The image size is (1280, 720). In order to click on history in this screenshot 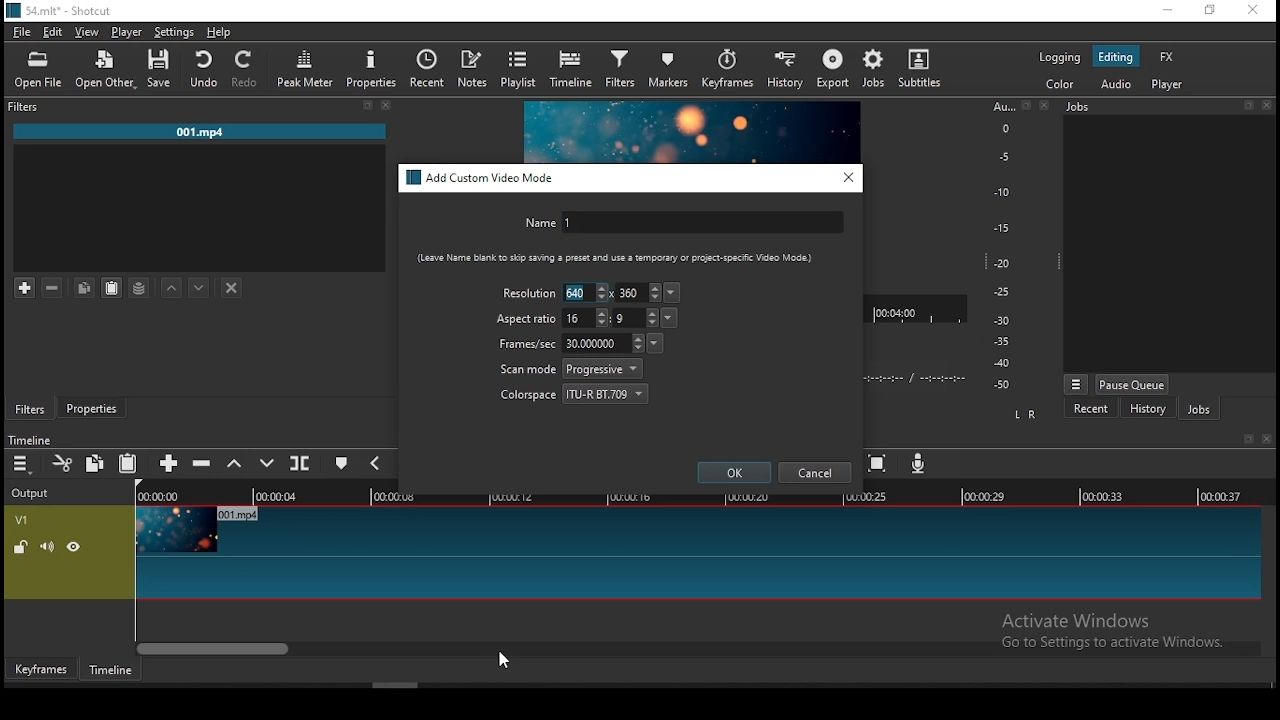, I will do `click(1147, 411)`.